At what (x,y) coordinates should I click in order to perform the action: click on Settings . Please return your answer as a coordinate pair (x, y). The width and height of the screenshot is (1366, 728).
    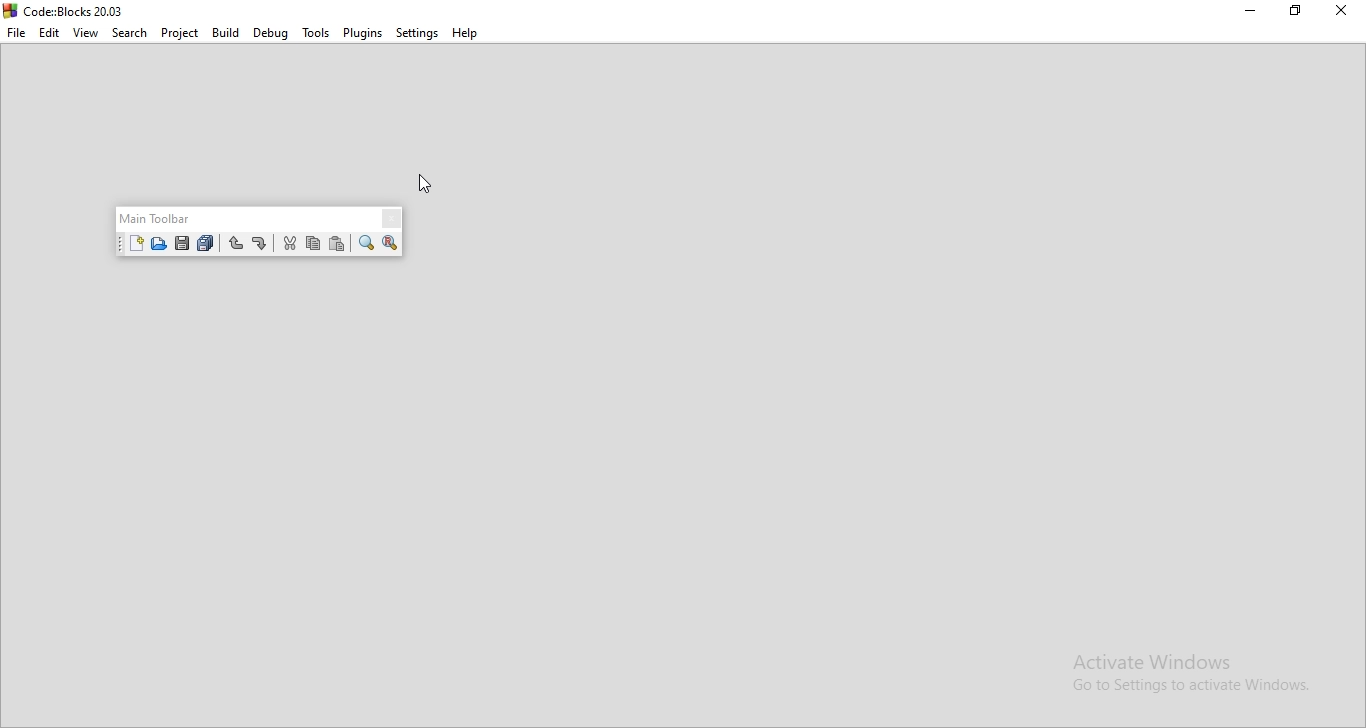
    Looking at the image, I should click on (416, 32).